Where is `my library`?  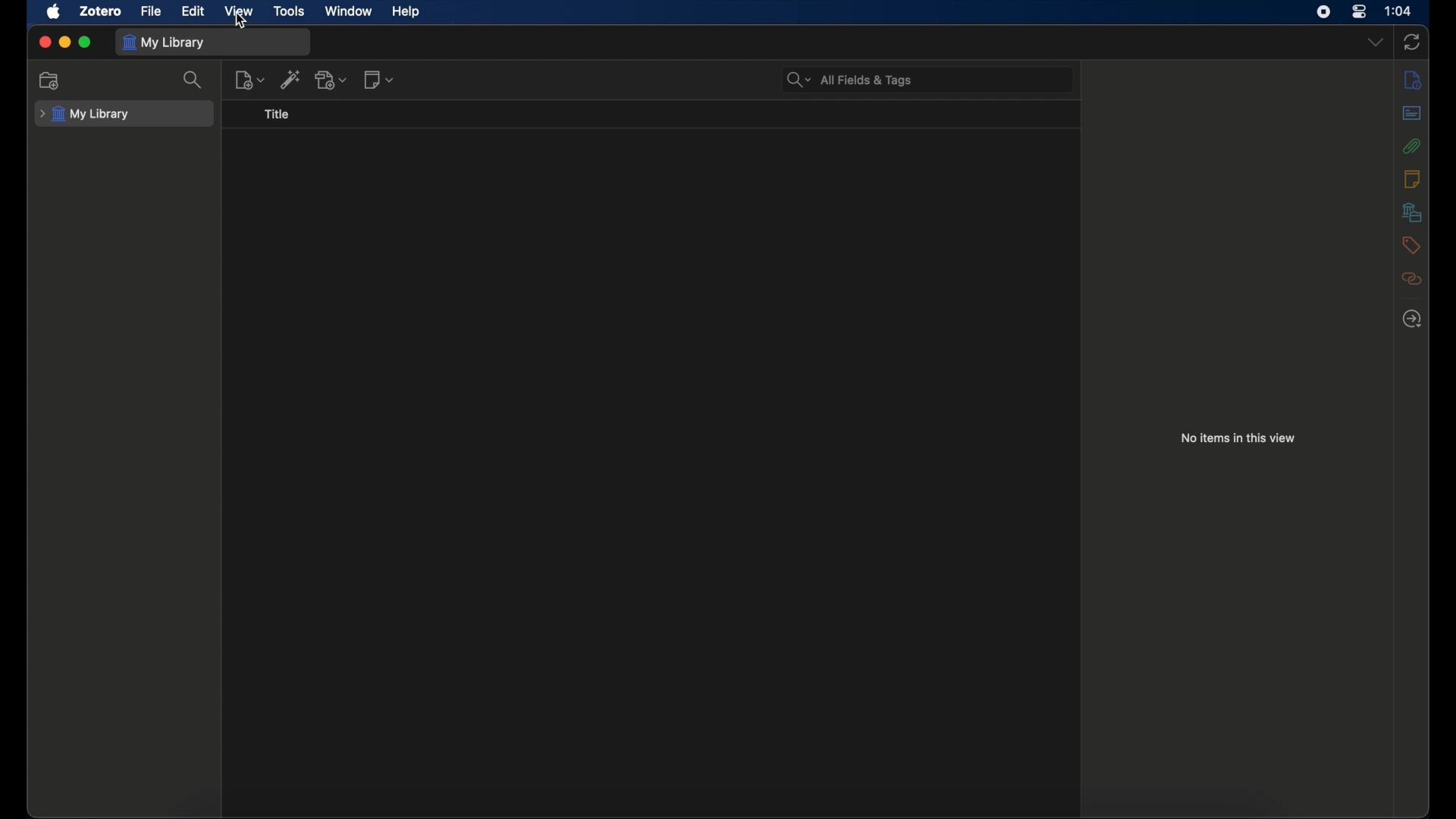 my library is located at coordinates (165, 42).